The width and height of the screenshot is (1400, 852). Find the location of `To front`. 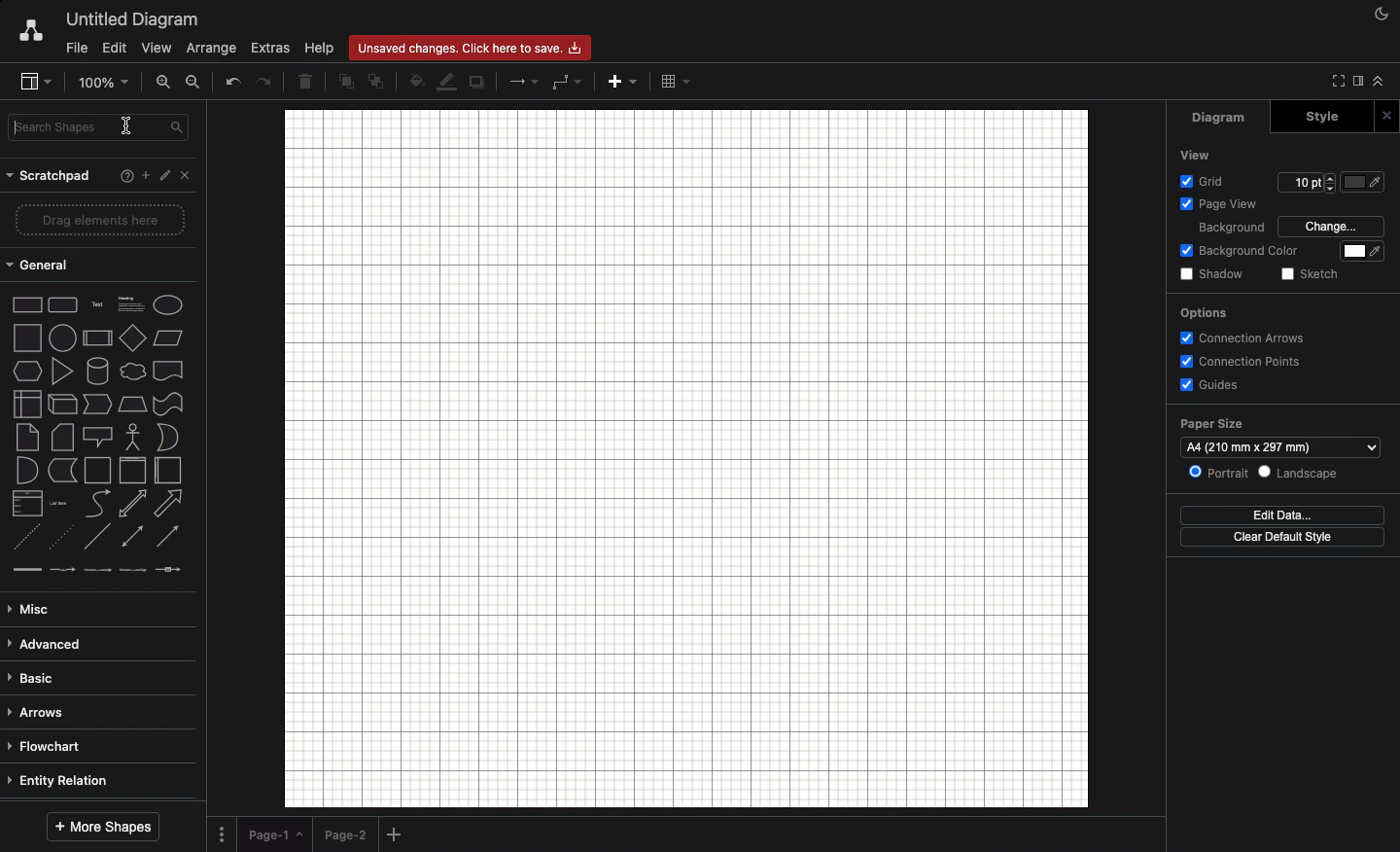

To front is located at coordinates (345, 85).